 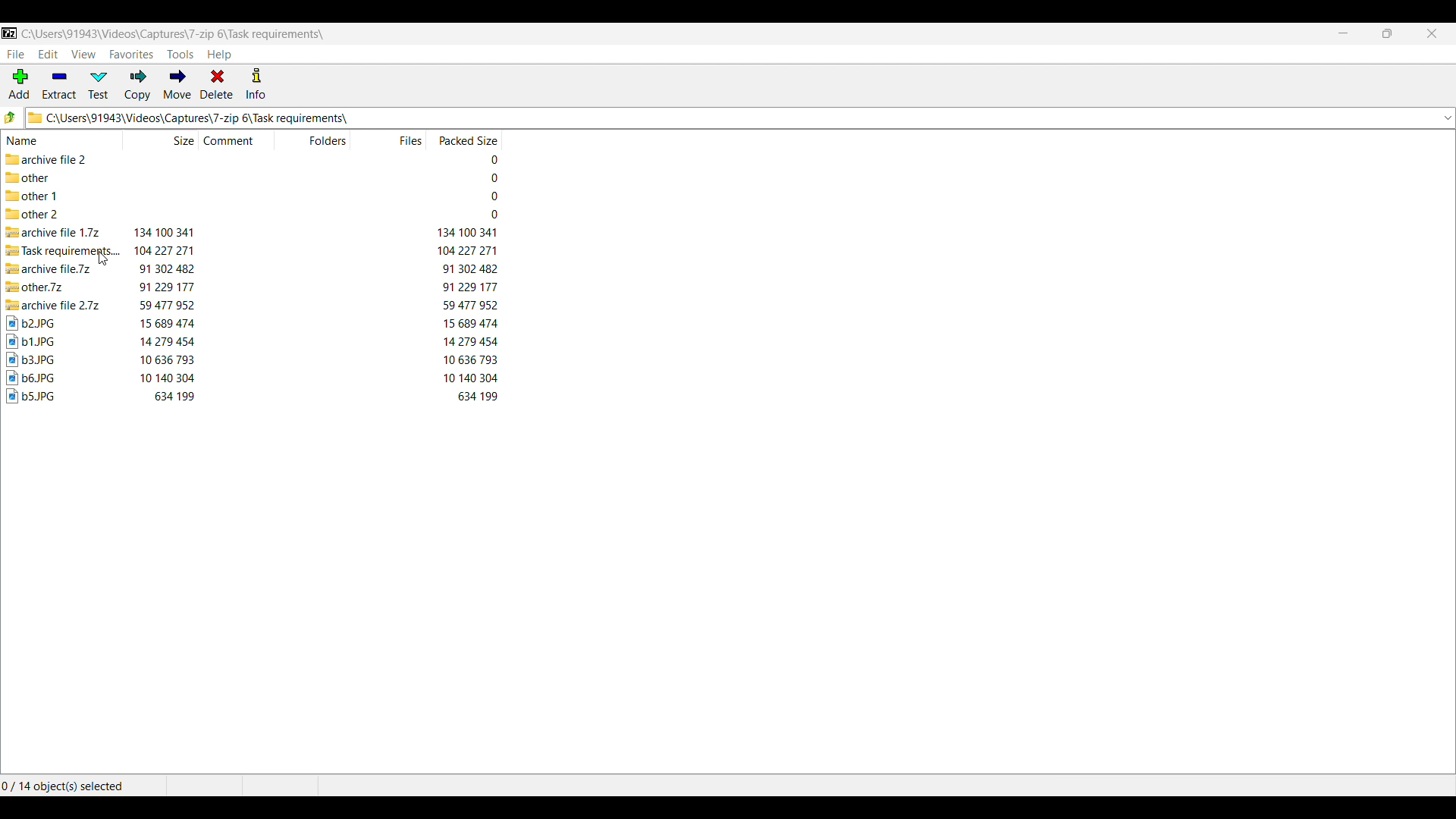 What do you see at coordinates (464, 158) in the screenshot?
I see `packed size` at bounding box center [464, 158].